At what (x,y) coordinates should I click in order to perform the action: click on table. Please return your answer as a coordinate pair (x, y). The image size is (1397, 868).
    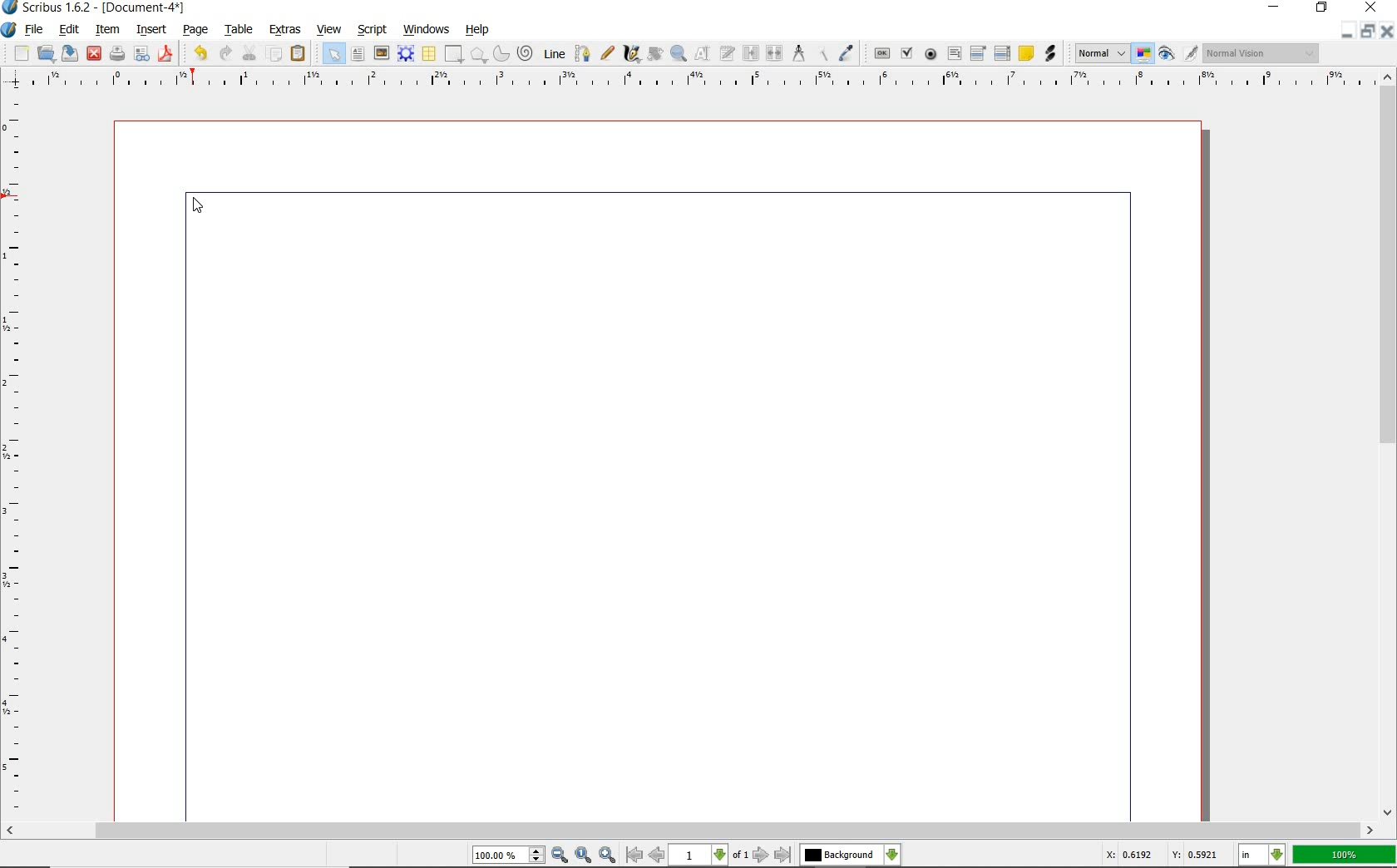
    Looking at the image, I should click on (239, 30).